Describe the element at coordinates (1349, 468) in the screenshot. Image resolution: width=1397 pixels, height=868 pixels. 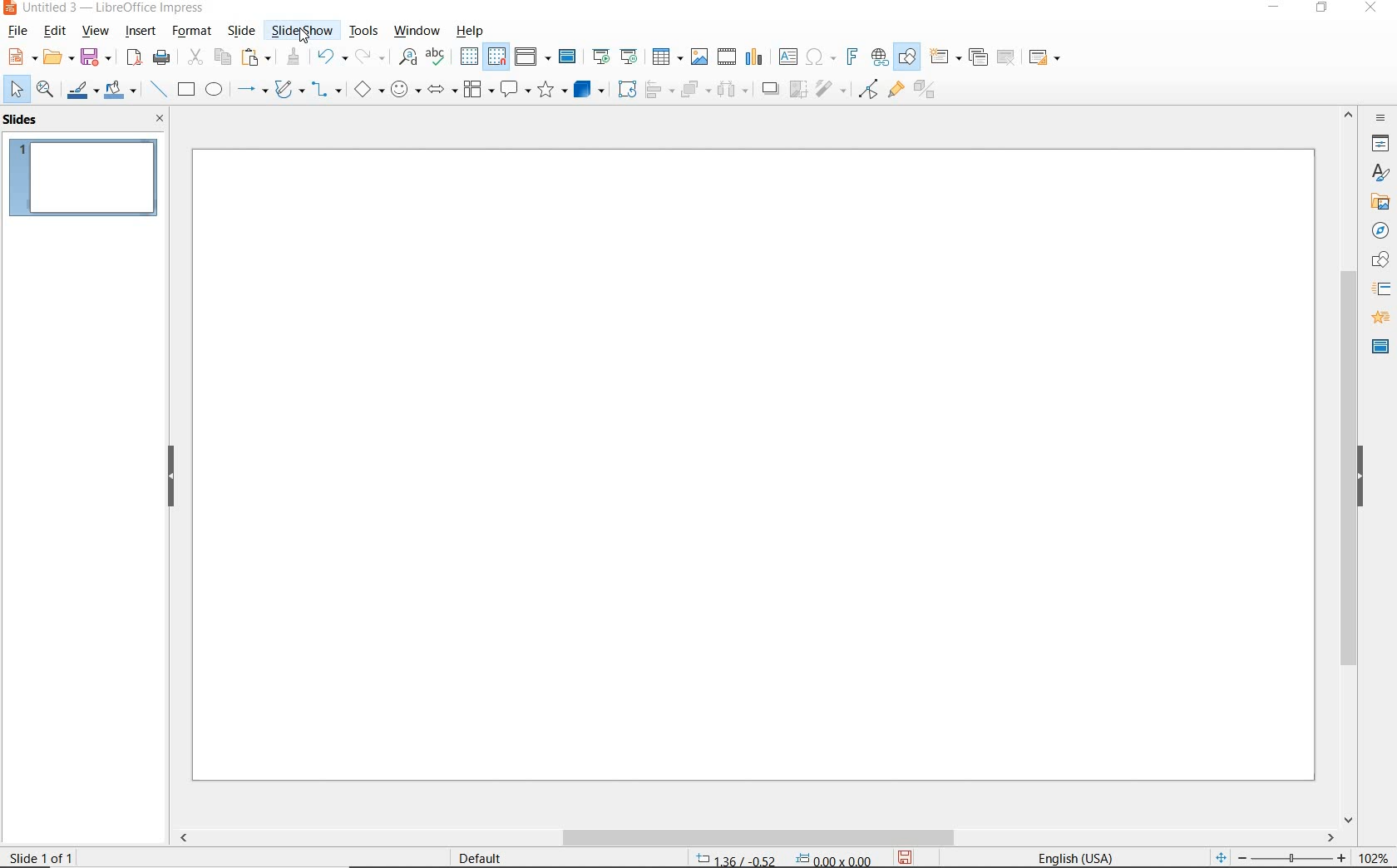
I see `SROLLBAR` at that location.